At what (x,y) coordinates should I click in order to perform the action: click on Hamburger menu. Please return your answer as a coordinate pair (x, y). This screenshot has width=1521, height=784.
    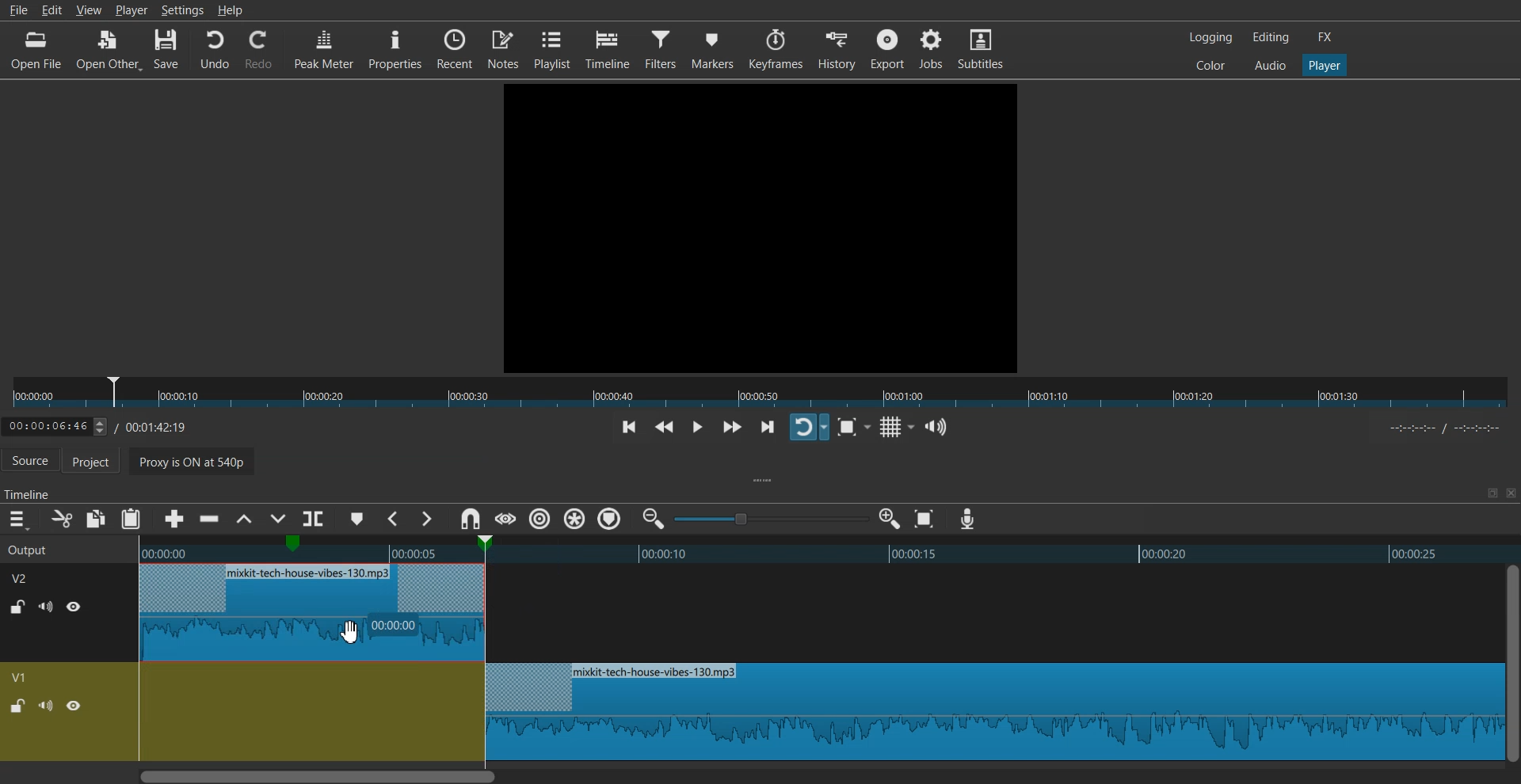
    Looking at the image, I should click on (17, 519).